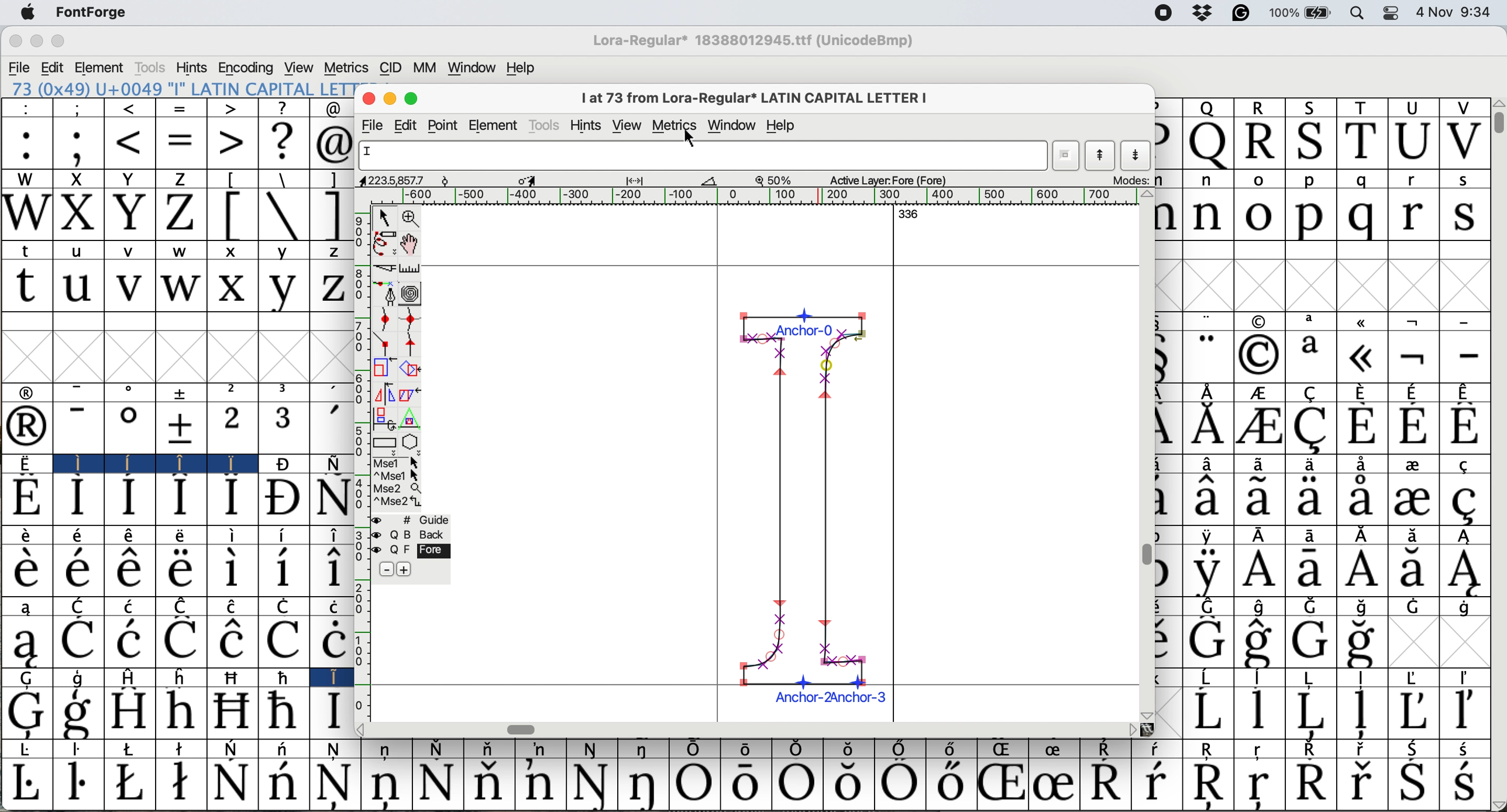 The image size is (1507, 812). Describe the element at coordinates (182, 536) in the screenshot. I see `Symbol` at that location.